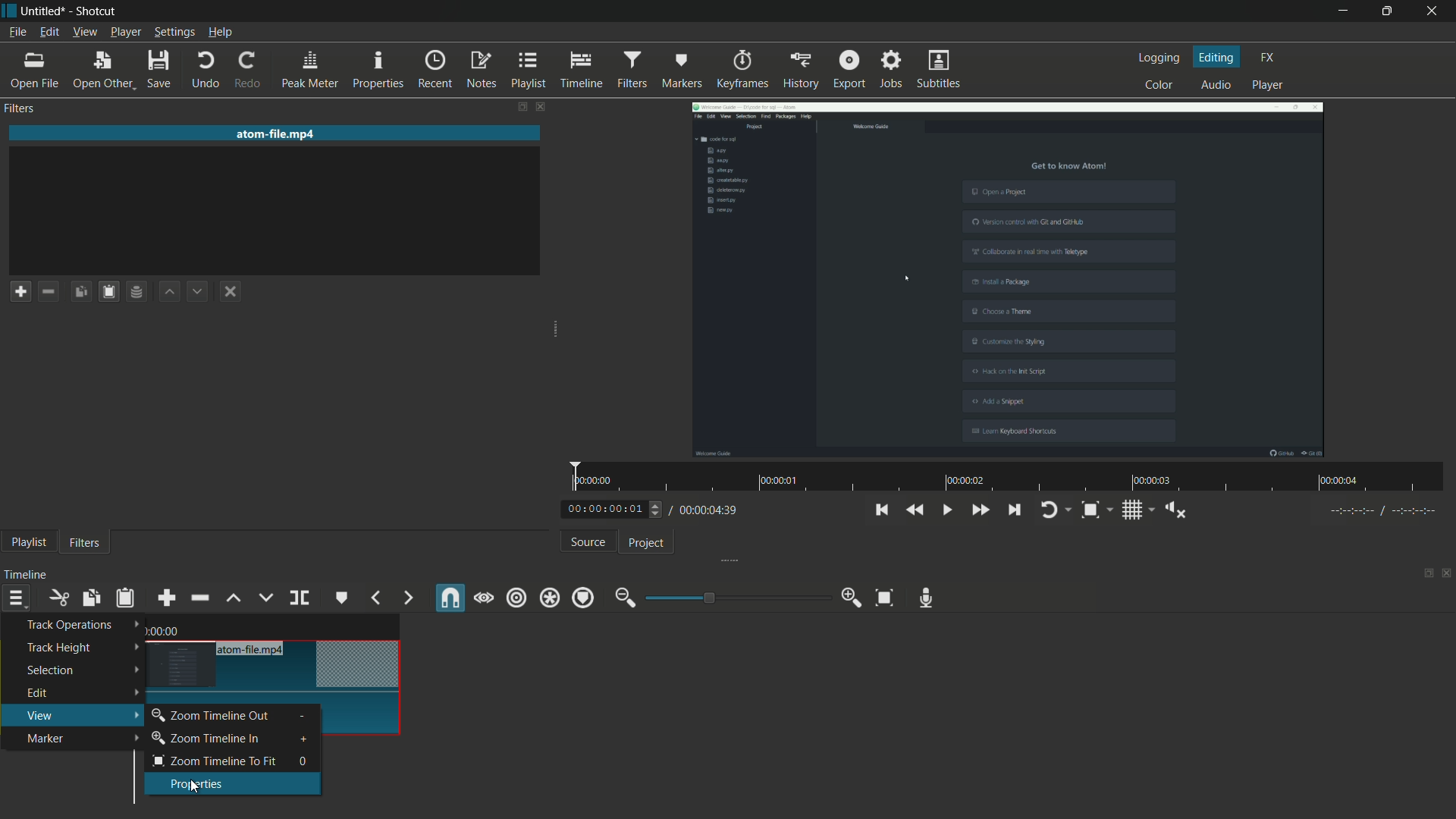  What do you see at coordinates (86, 32) in the screenshot?
I see `view menu` at bounding box center [86, 32].